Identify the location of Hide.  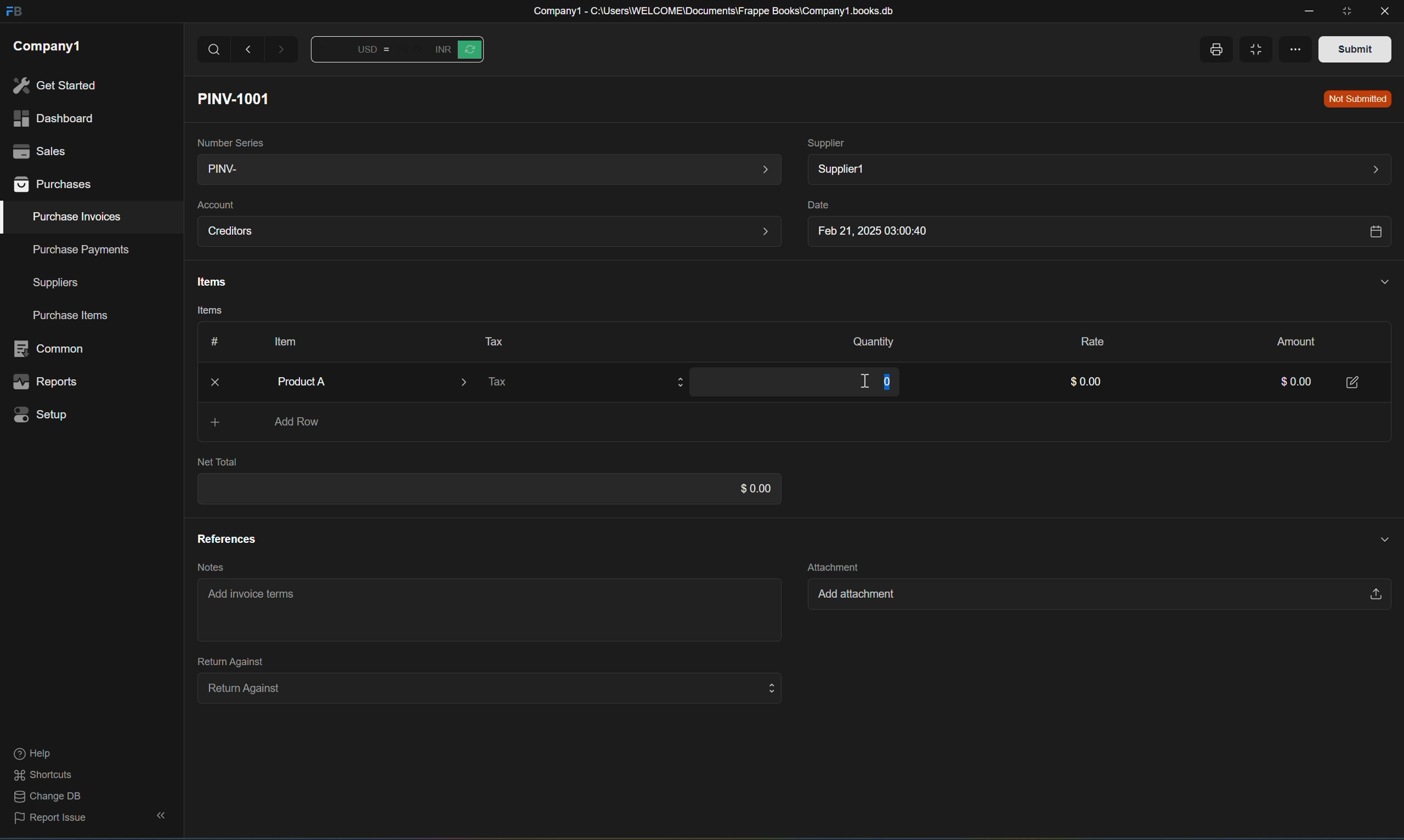
(1377, 537).